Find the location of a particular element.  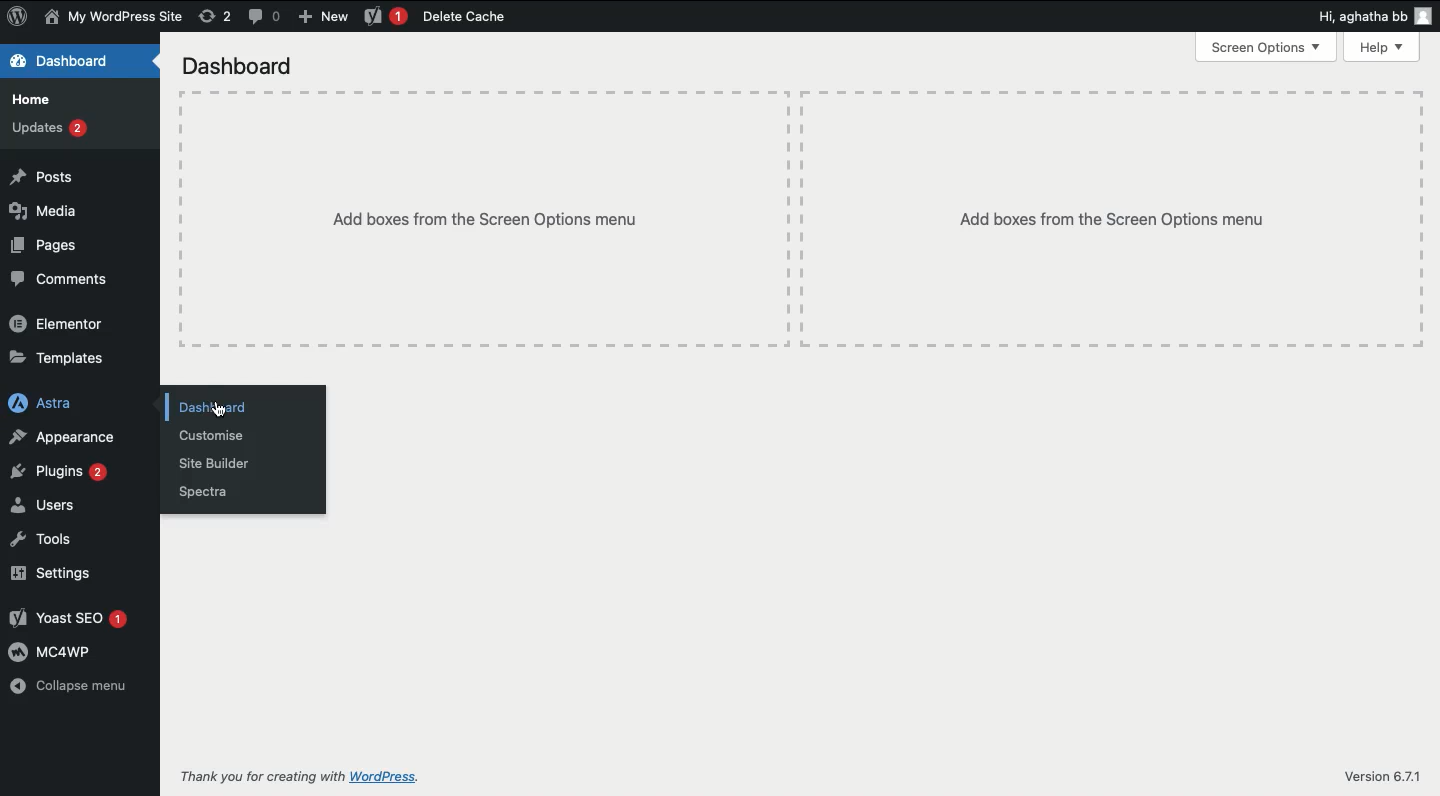

New is located at coordinates (327, 18).